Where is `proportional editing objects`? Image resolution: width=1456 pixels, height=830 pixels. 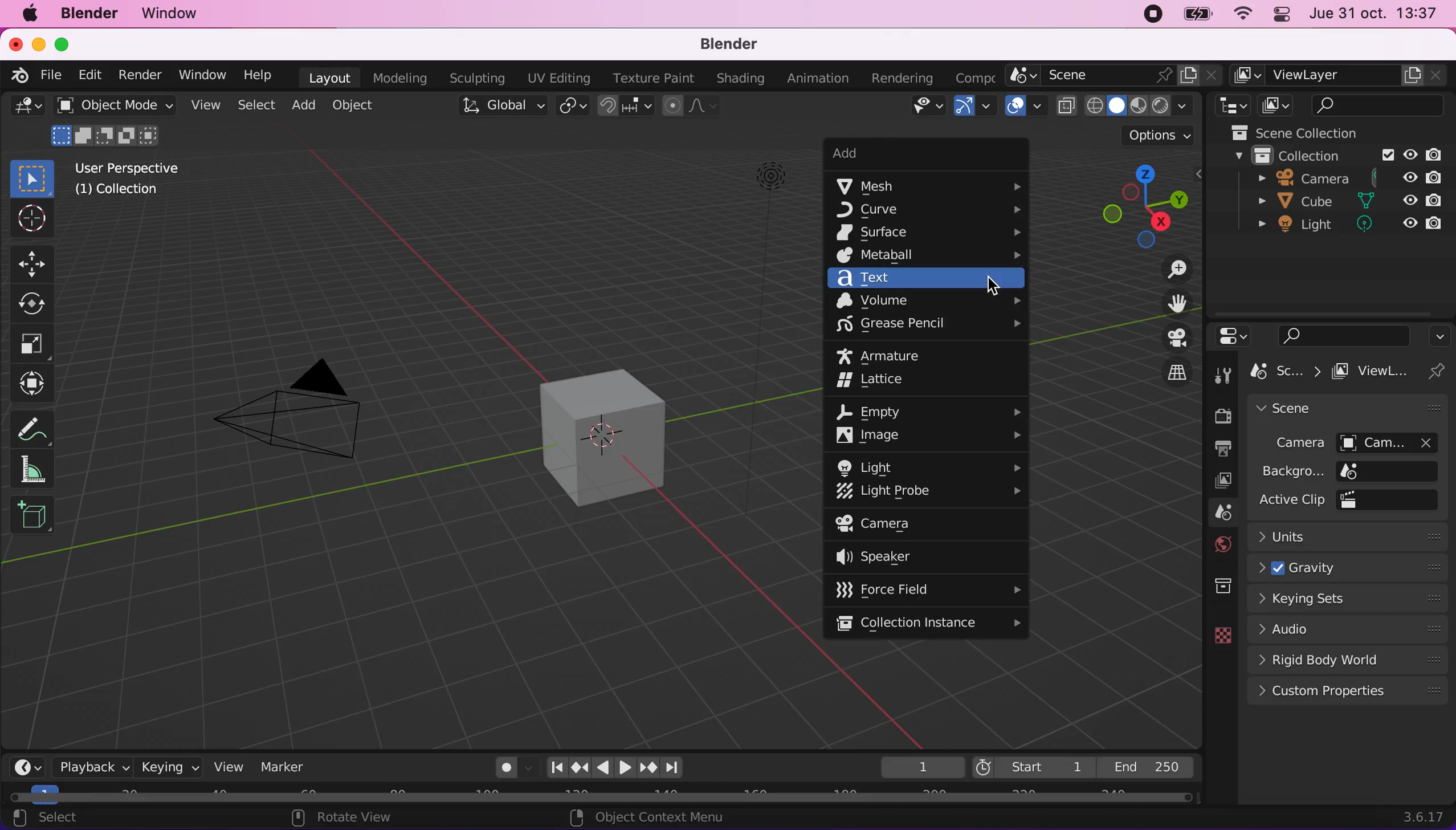
proportional editing objects is located at coordinates (689, 107).